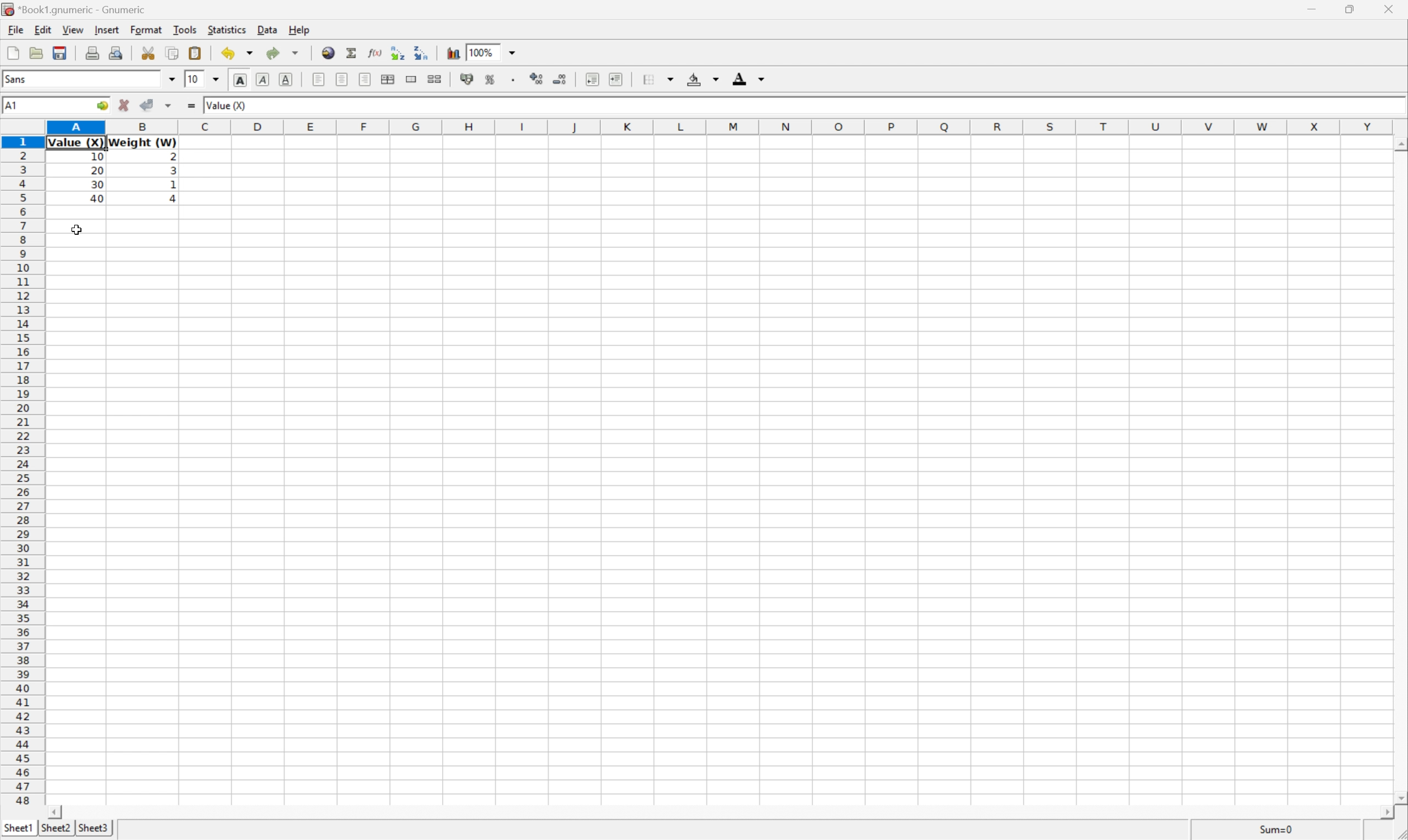 This screenshot has height=840, width=1408. I want to click on Sheet2, so click(57, 829).